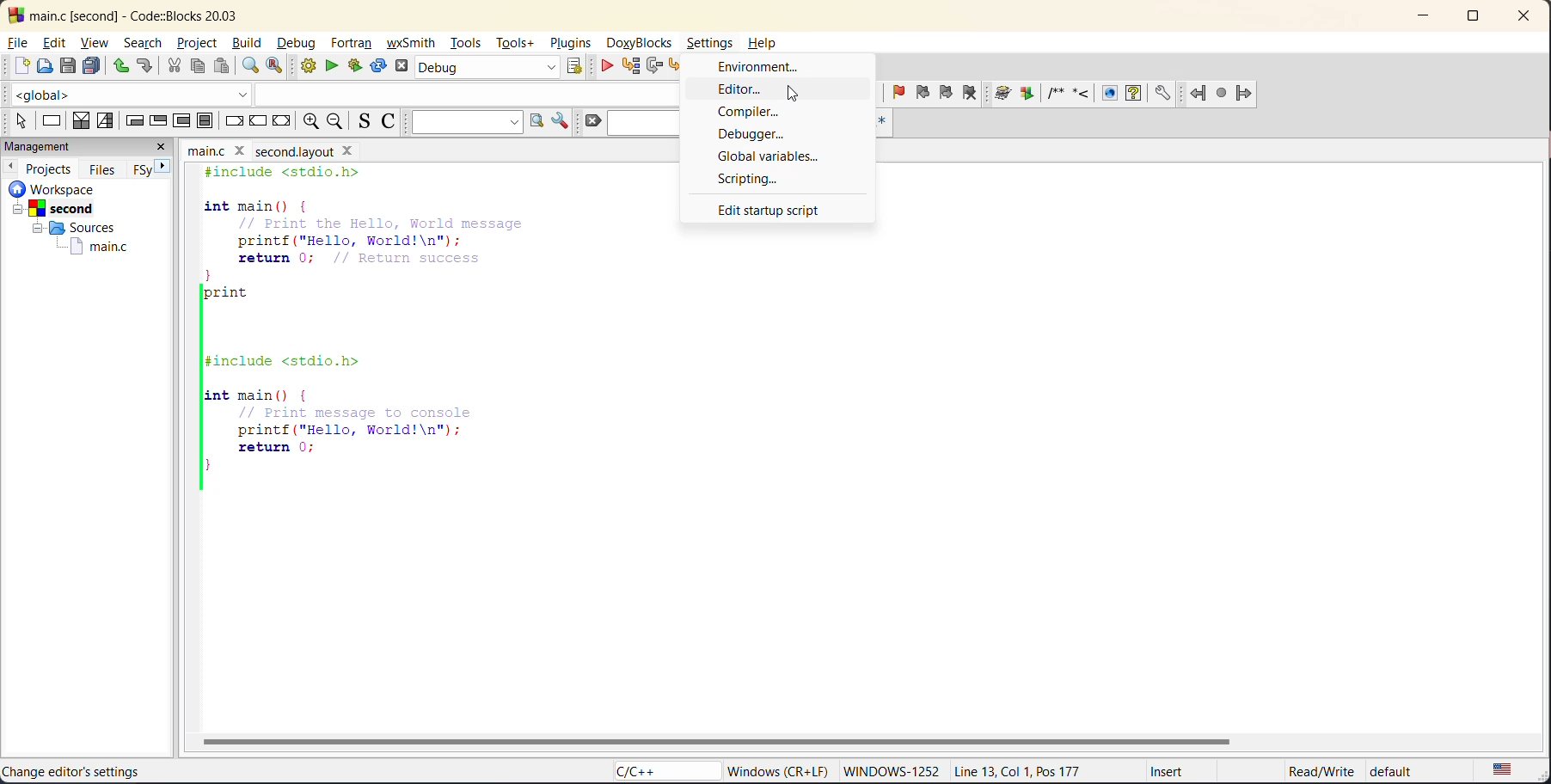 This screenshot has height=784, width=1551. I want to click on tools+, so click(518, 48).